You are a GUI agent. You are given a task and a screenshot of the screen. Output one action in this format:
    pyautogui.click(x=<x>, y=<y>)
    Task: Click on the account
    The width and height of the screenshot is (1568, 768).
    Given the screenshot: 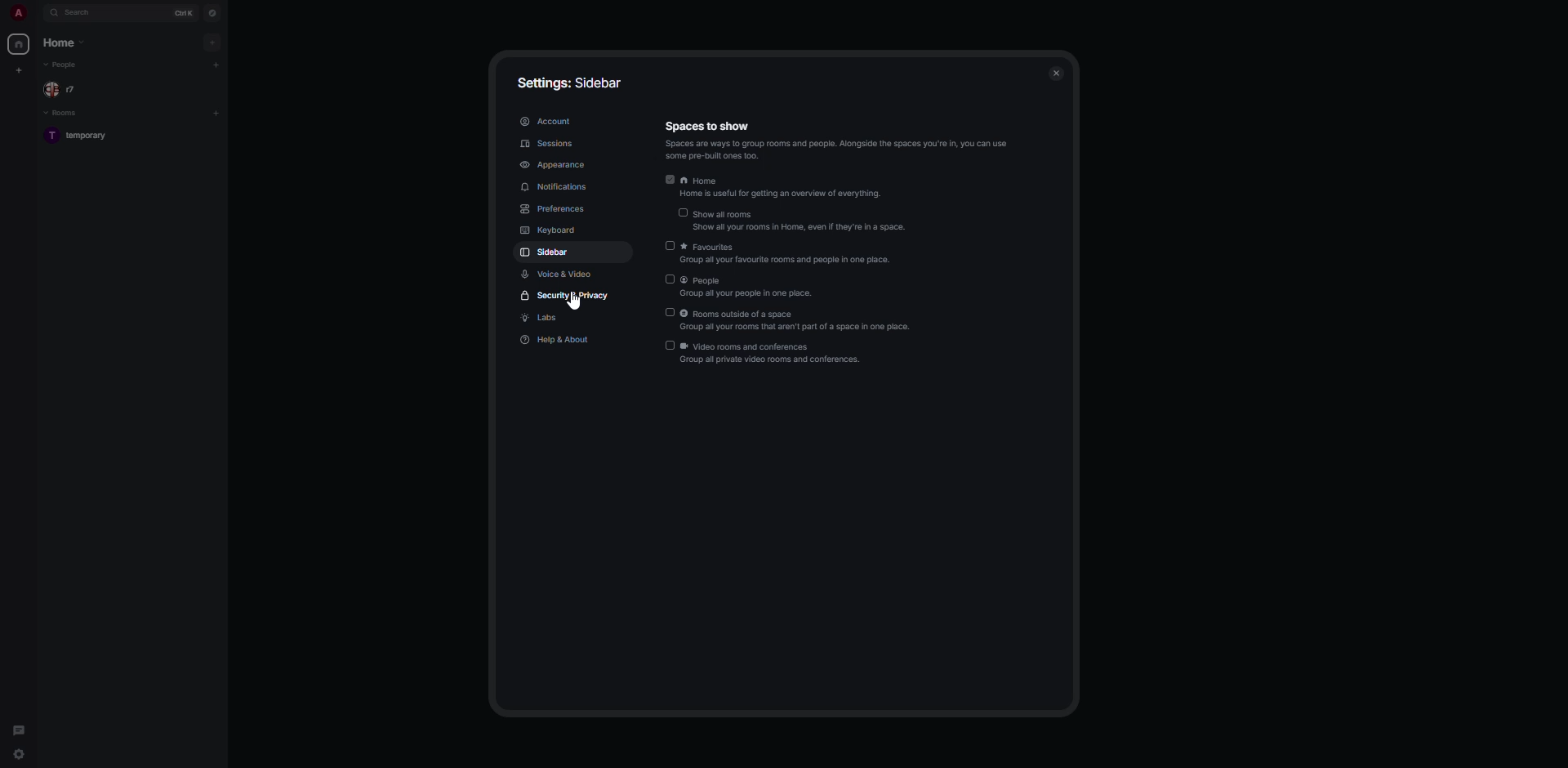 What is the action you would take?
    pyautogui.click(x=547, y=121)
    